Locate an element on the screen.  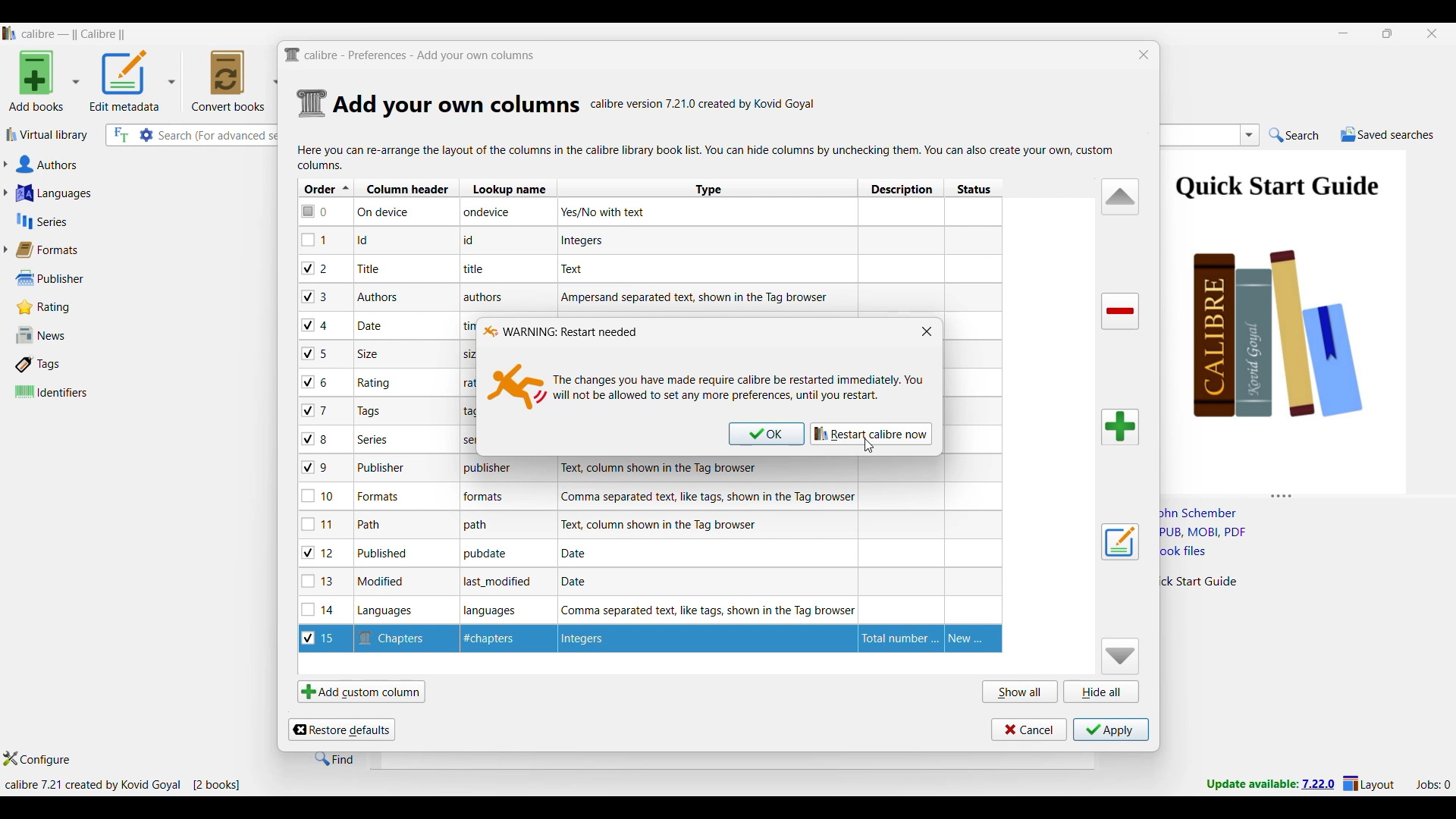
Note is located at coordinates (375, 325).